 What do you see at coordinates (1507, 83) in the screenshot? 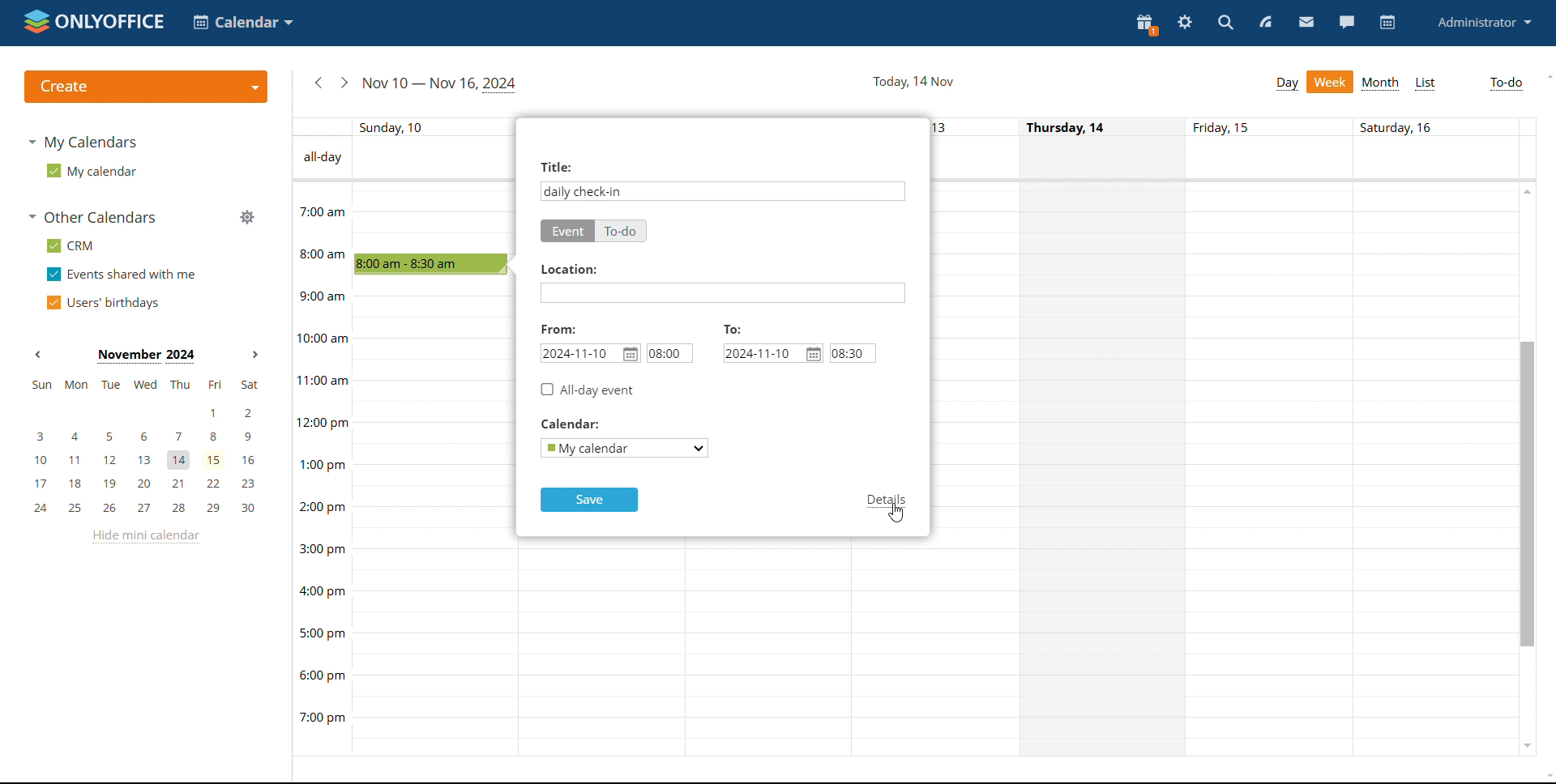
I see `to-do` at bounding box center [1507, 83].